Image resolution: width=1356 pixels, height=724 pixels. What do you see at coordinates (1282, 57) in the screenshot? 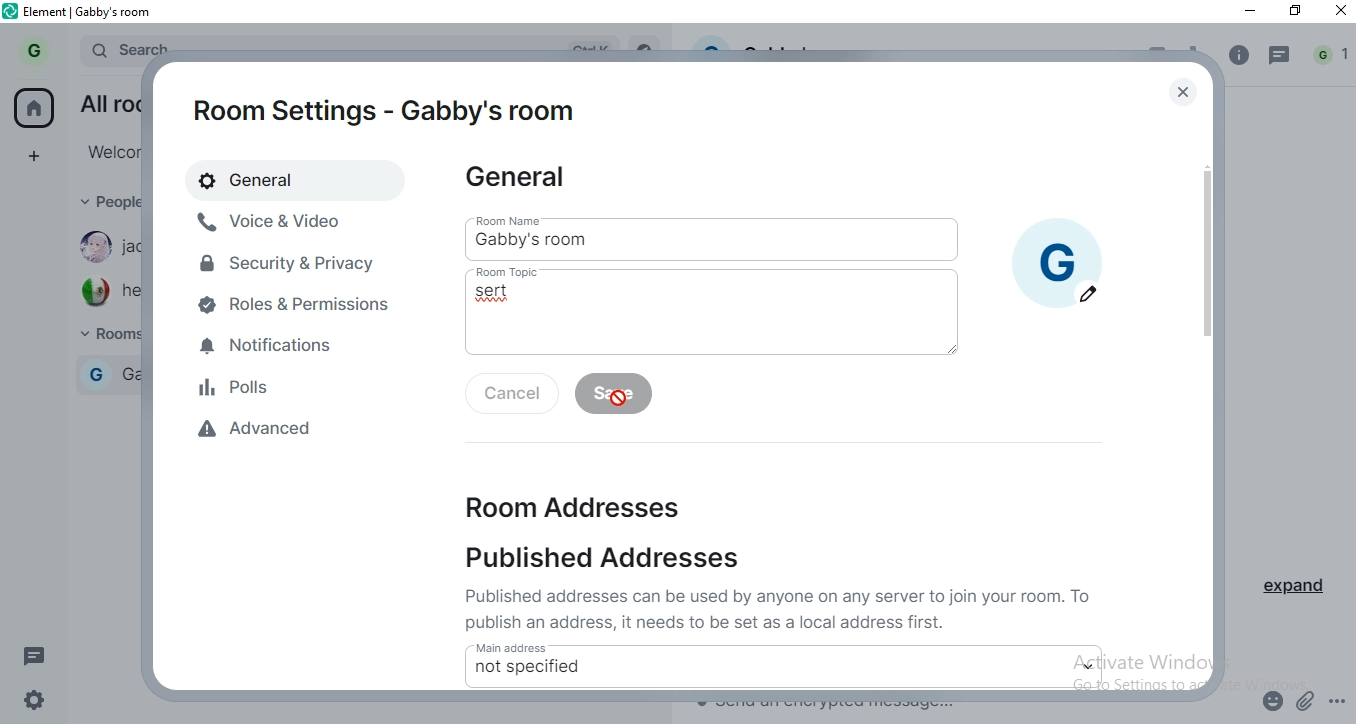
I see `message` at bounding box center [1282, 57].